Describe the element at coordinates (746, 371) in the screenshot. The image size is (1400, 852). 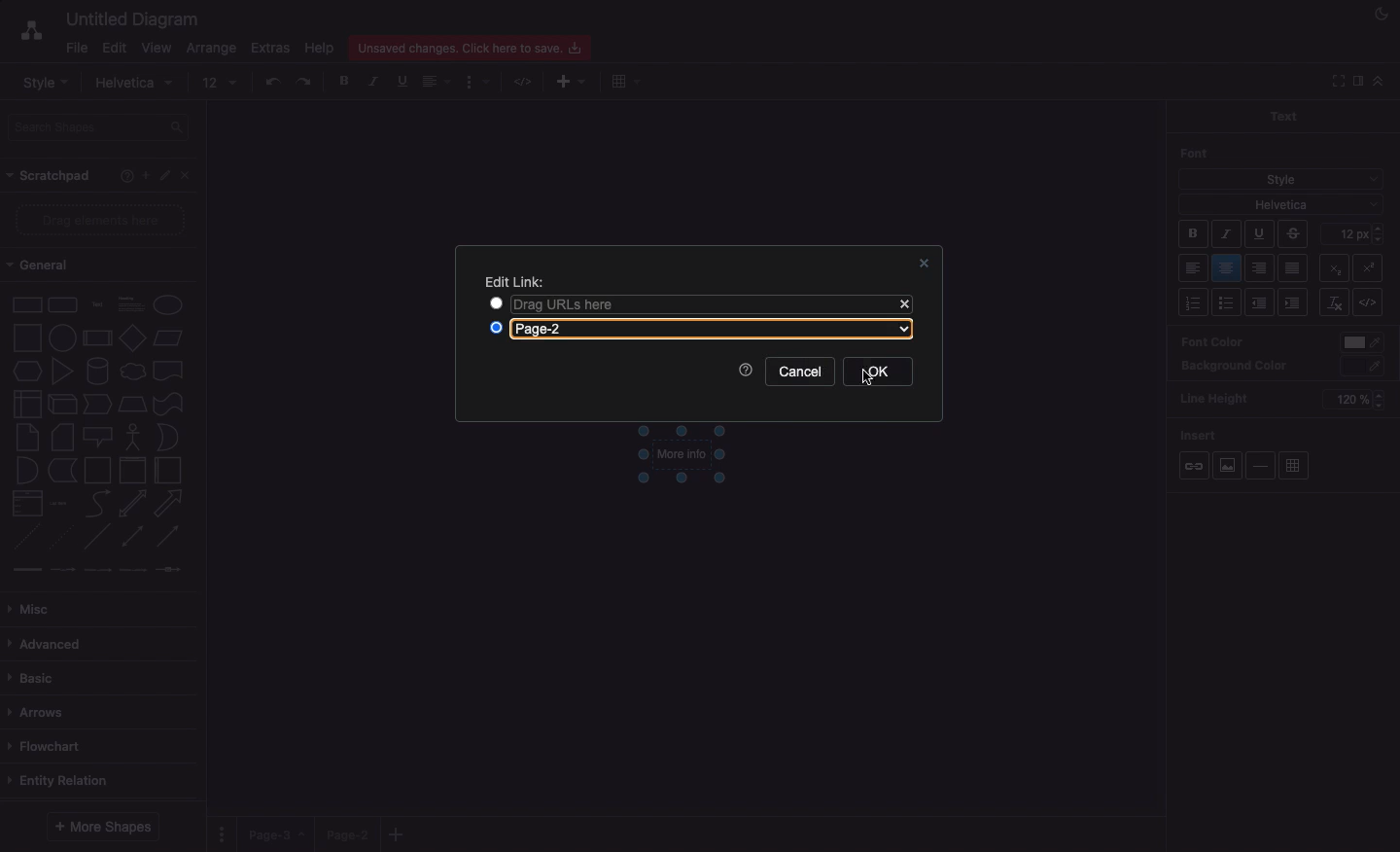
I see `Help` at that location.